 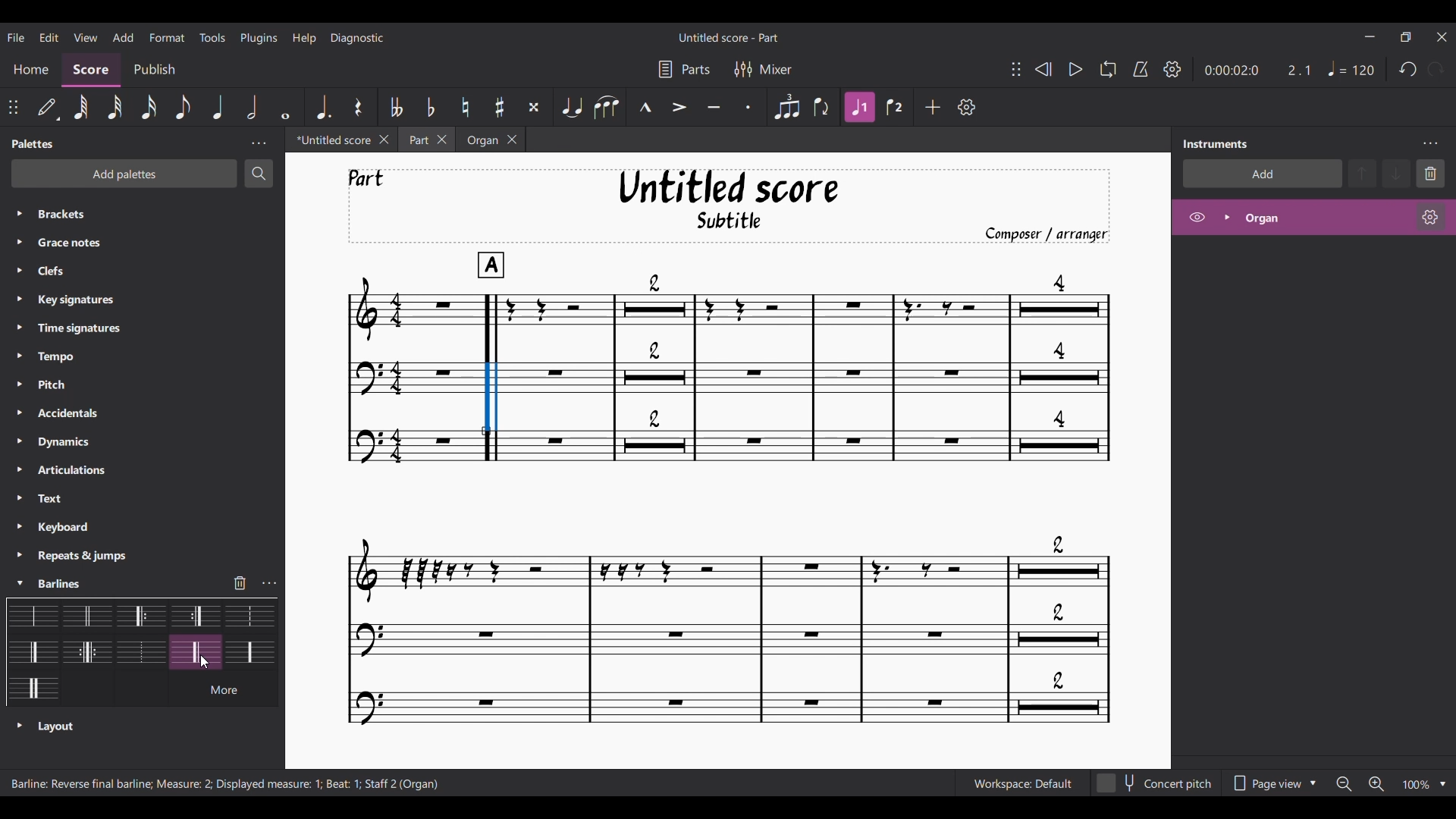 What do you see at coordinates (1442, 37) in the screenshot?
I see `Close interface` at bounding box center [1442, 37].